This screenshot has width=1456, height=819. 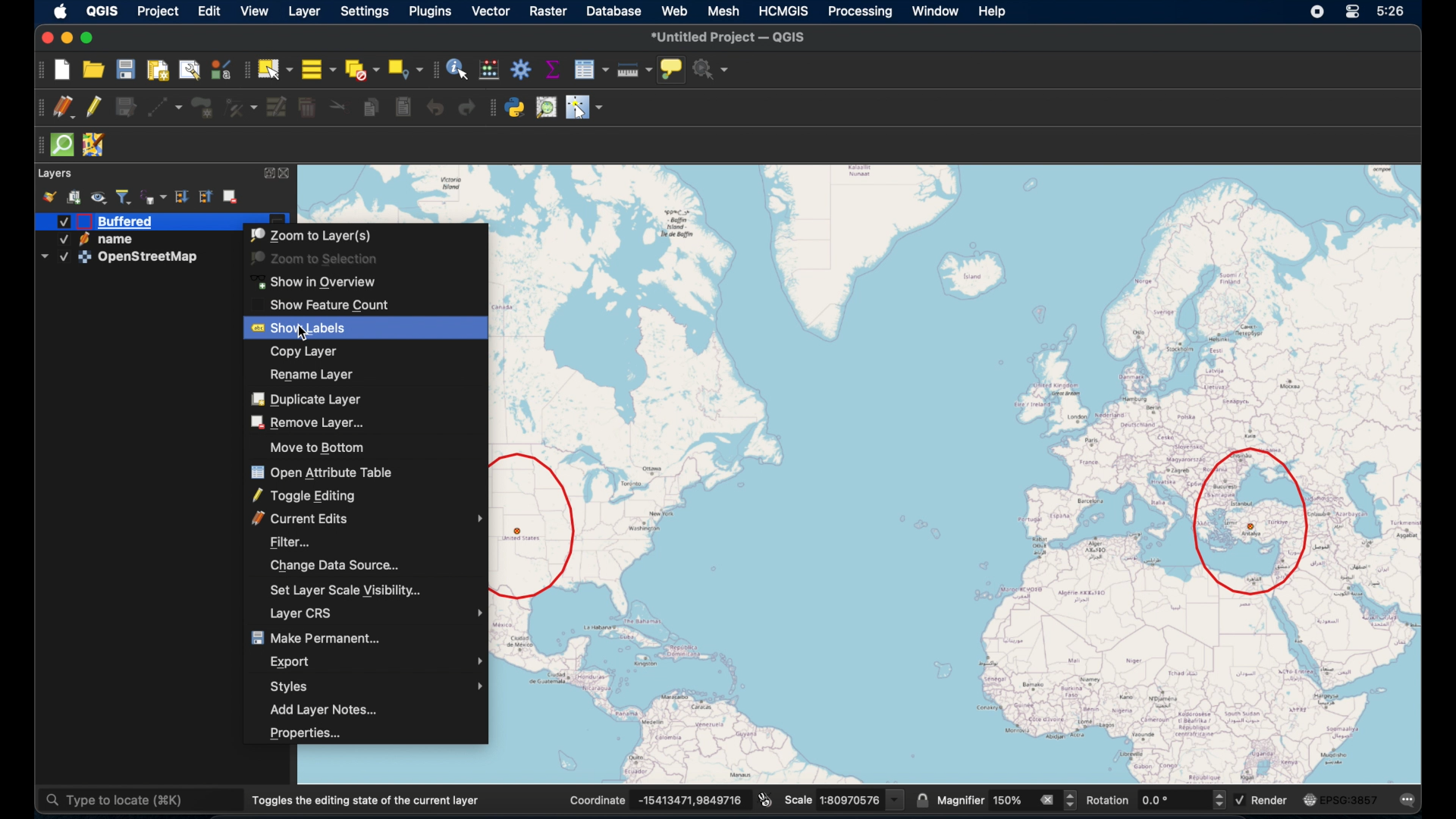 What do you see at coordinates (313, 373) in the screenshot?
I see `rename layer` at bounding box center [313, 373].